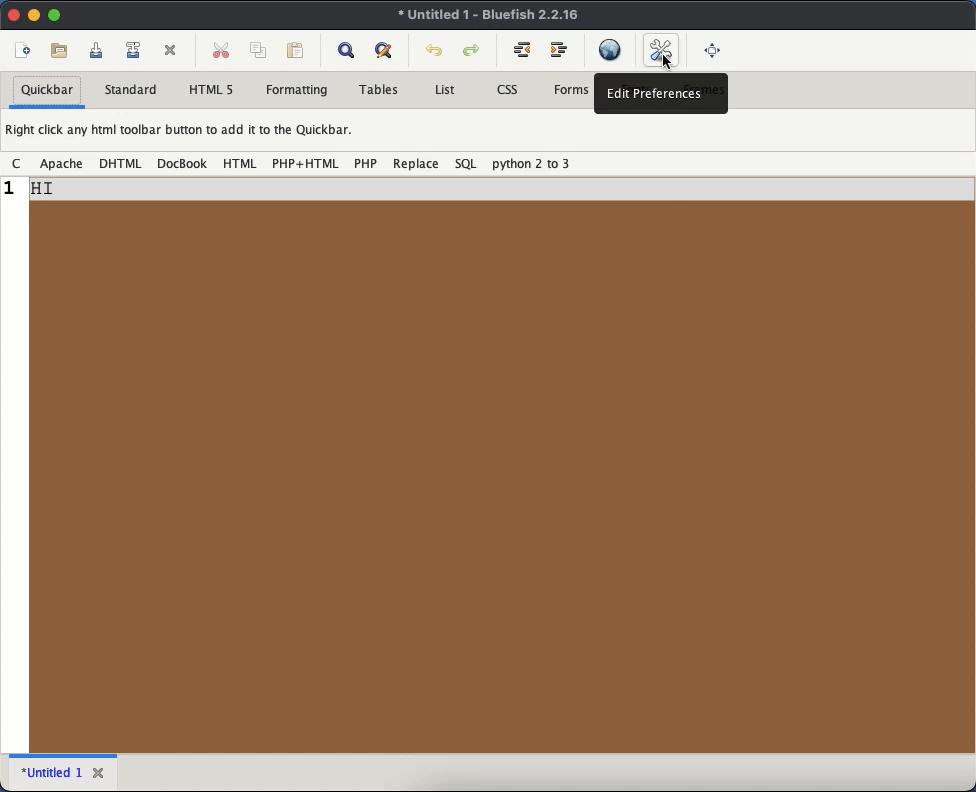  What do you see at coordinates (14, 14) in the screenshot?
I see `close` at bounding box center [14, 14].